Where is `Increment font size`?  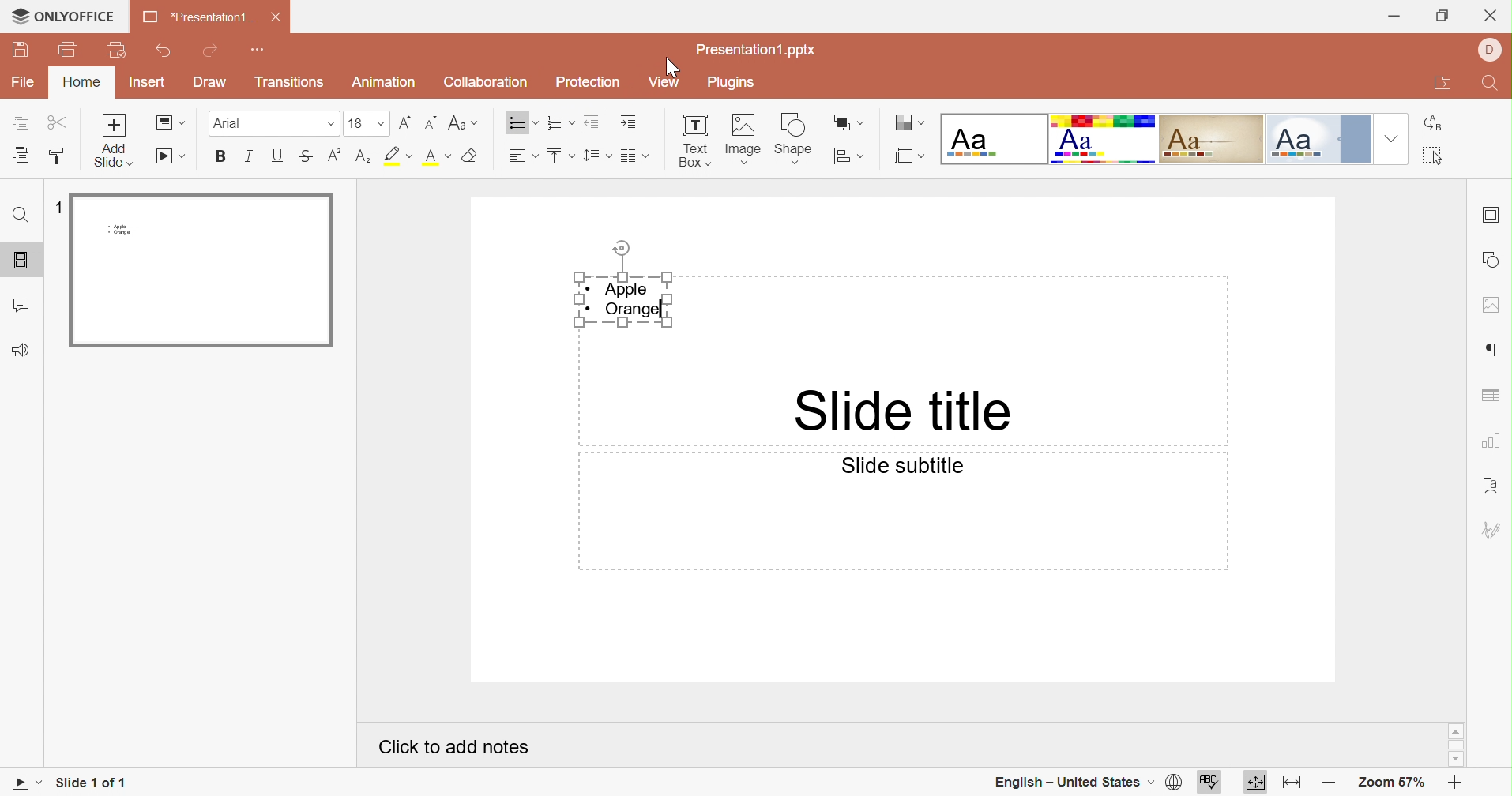
Increment font size is located at coordinates (405, 122).